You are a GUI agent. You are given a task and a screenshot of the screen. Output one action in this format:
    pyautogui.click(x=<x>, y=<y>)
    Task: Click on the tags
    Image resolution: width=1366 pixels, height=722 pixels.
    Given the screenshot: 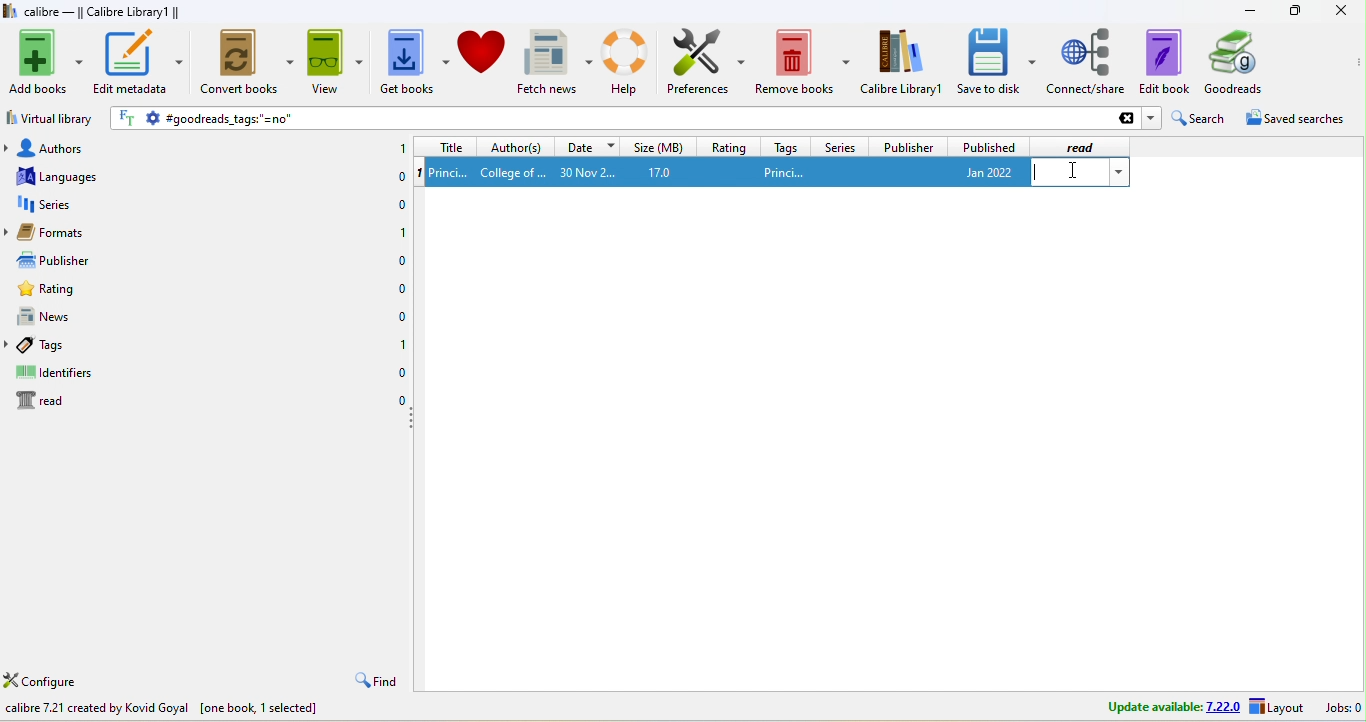 What is the action you would take?
    pyautogui.click(x=787, y=147)
    